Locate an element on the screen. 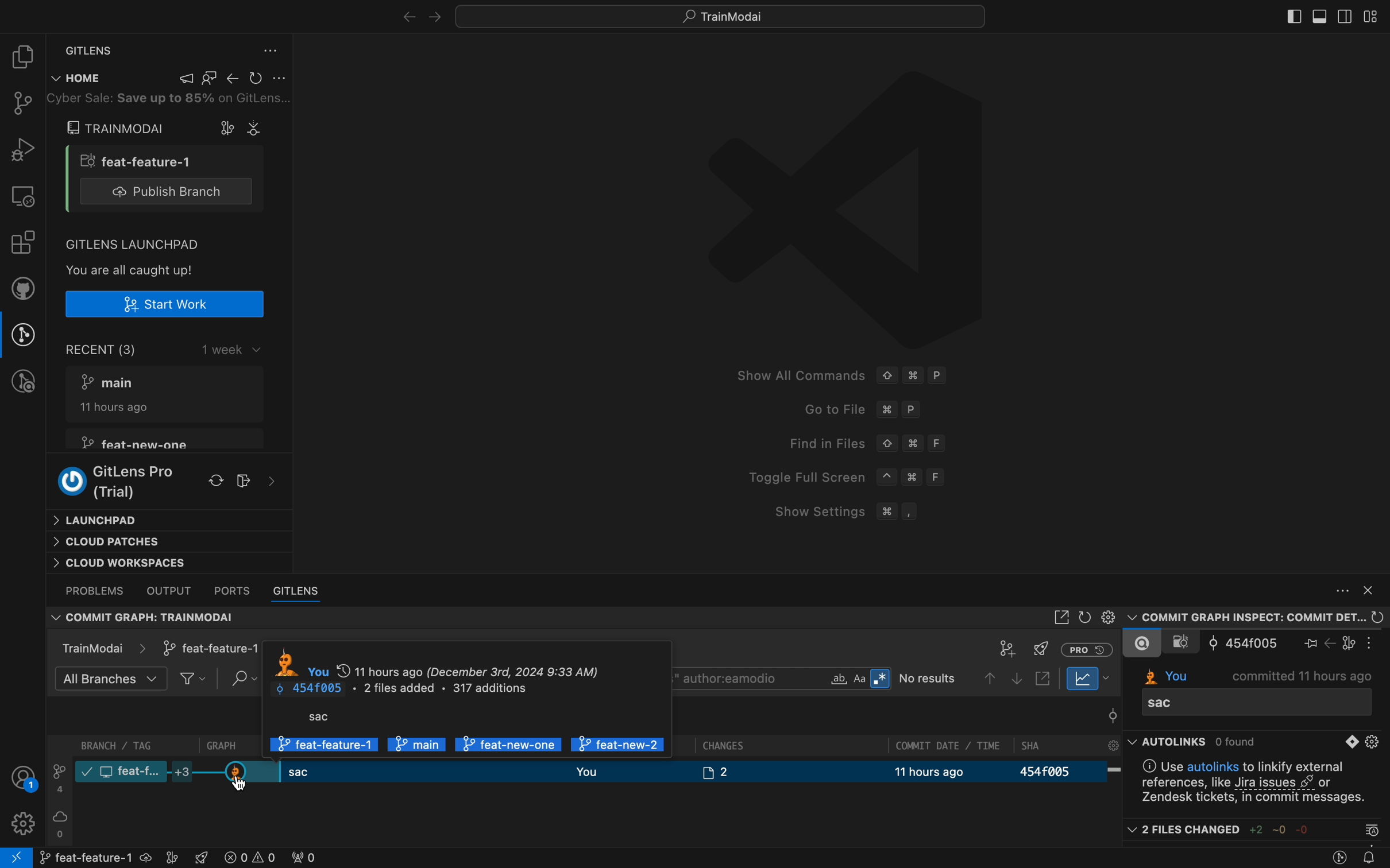 The image size is (1390, 868). toggle primary bar is located at coordinates (1318, 15).